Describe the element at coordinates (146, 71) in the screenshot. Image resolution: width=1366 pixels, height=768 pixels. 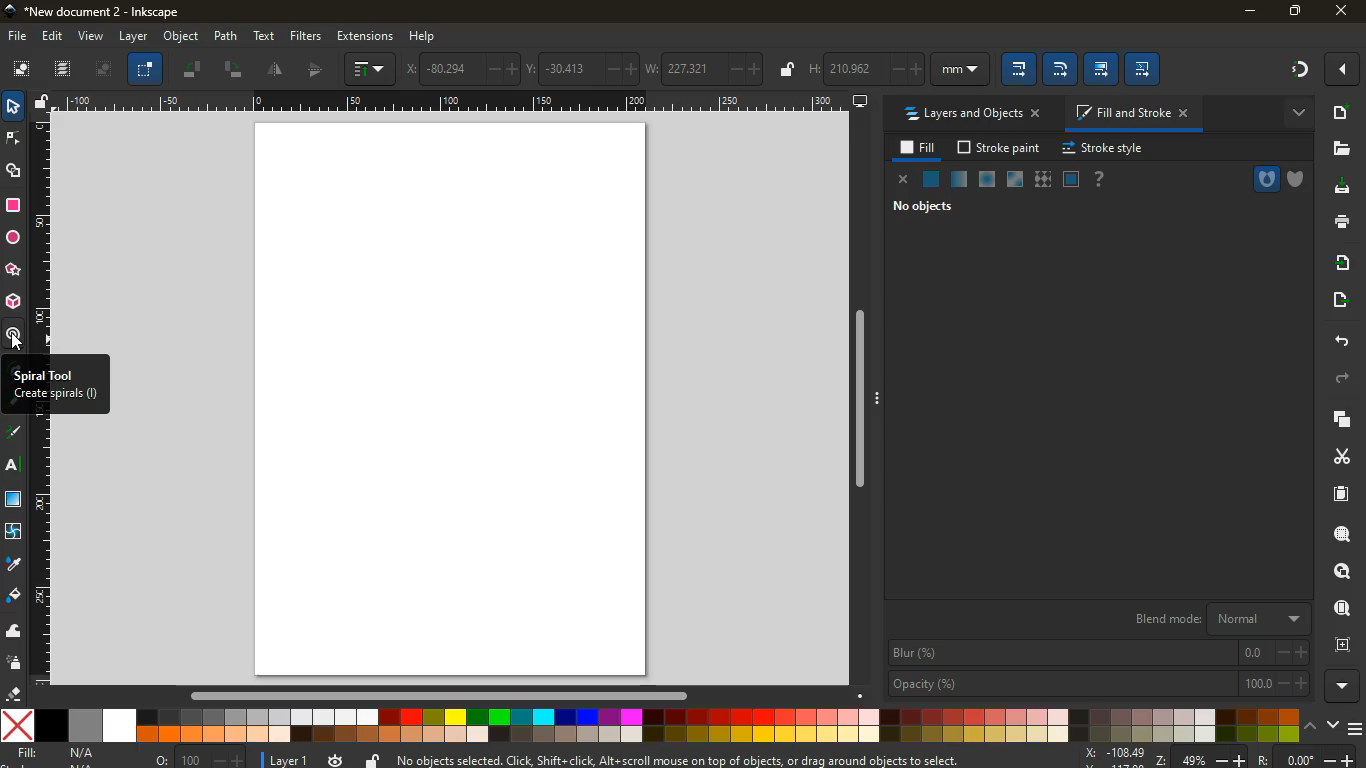
I see `select` at that location.